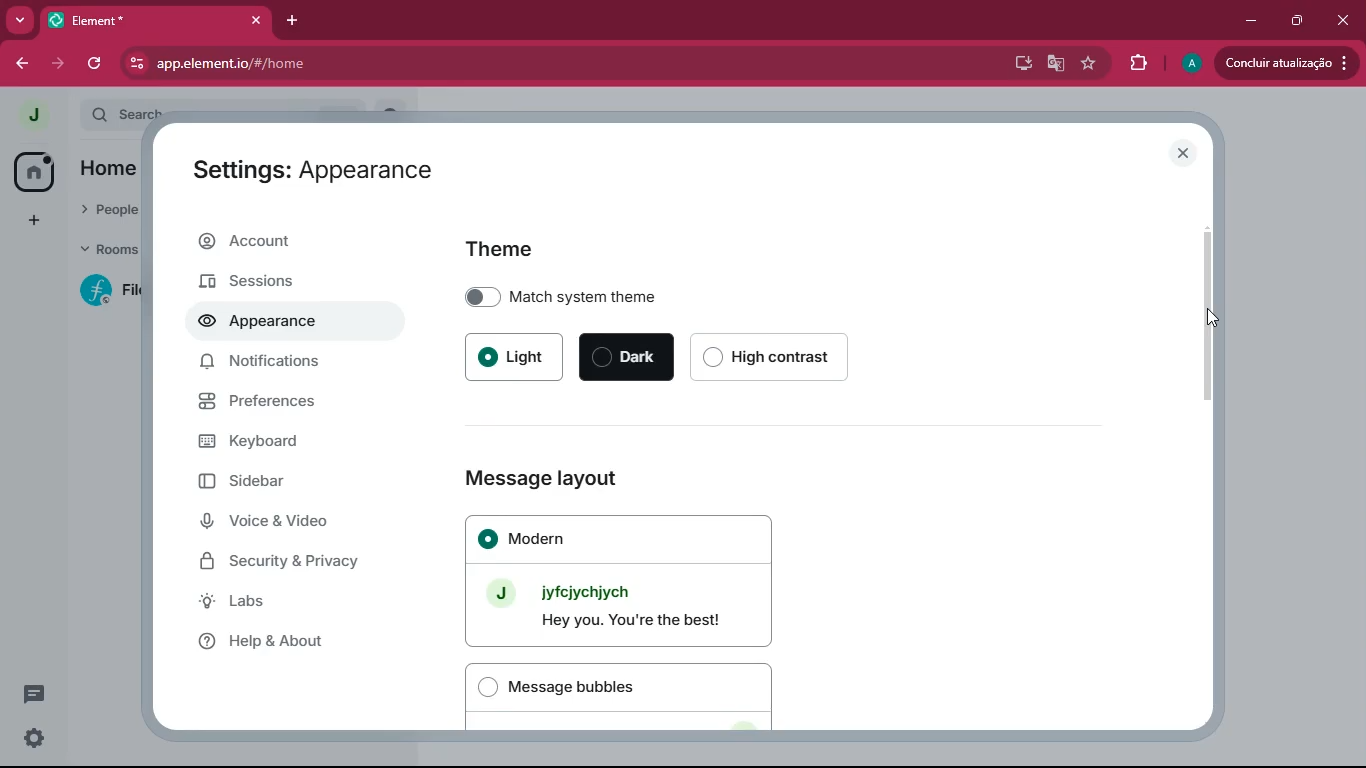  Describe the element at coordinates (277, 482) in the screenshot. I see `sidebar` at that location.